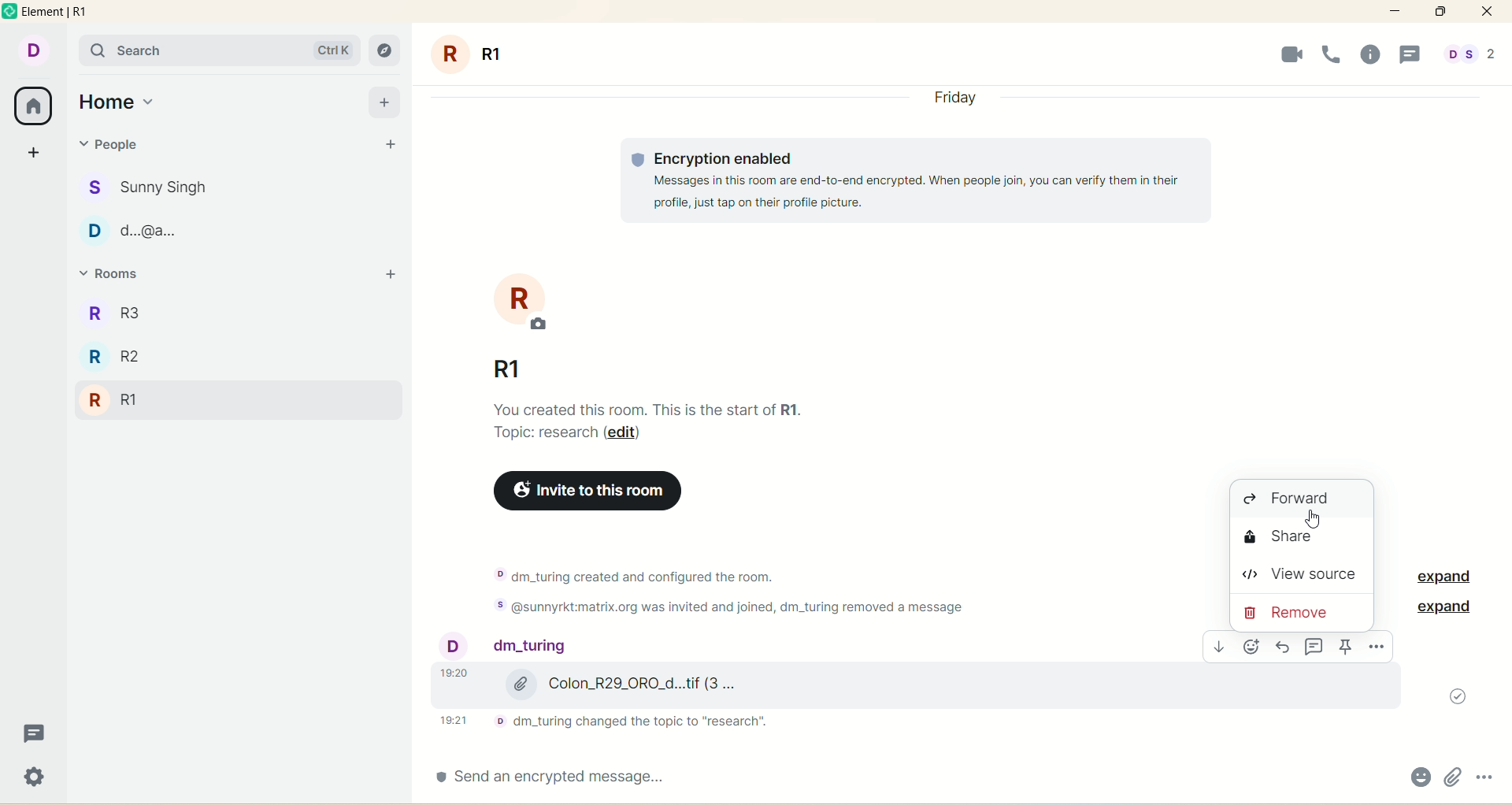  What do you see at coordinates (31, 737) in the screenshot?
I see `threads` at bounding box center [31, 737].